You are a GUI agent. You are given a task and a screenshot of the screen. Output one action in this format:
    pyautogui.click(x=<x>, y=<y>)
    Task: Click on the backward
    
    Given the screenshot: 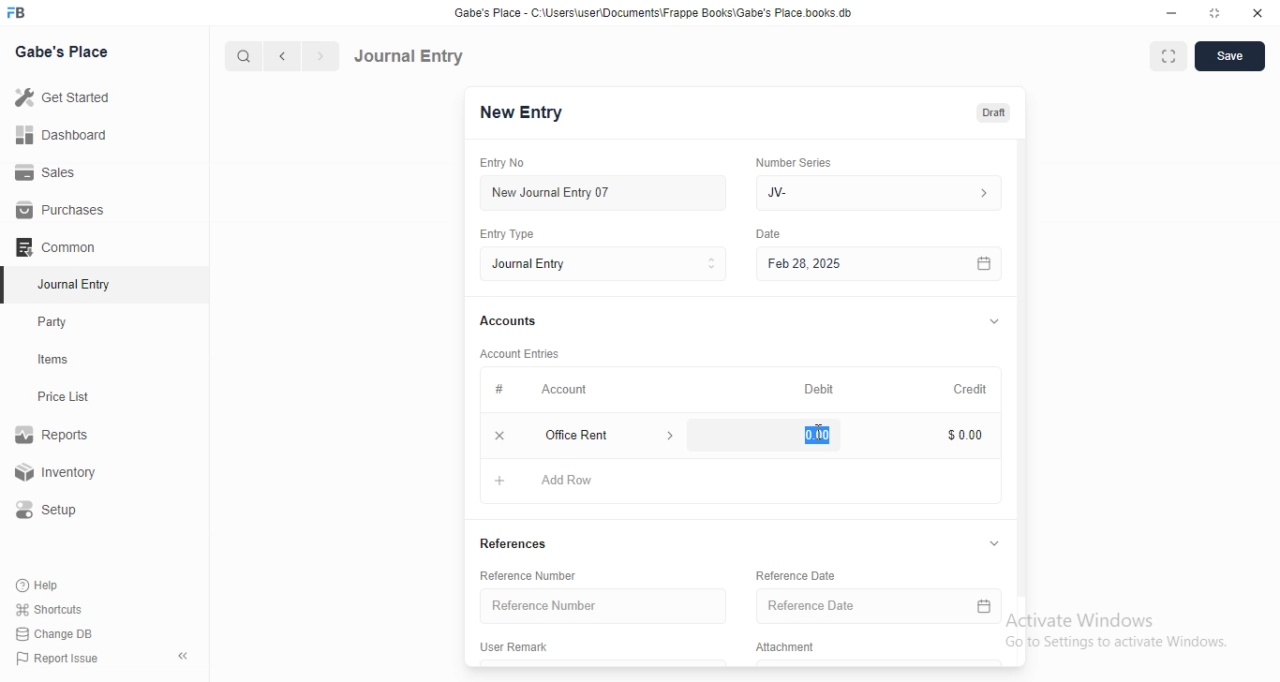 What is the action you would take?
    pyautogui.click(x=281, y=56)
    